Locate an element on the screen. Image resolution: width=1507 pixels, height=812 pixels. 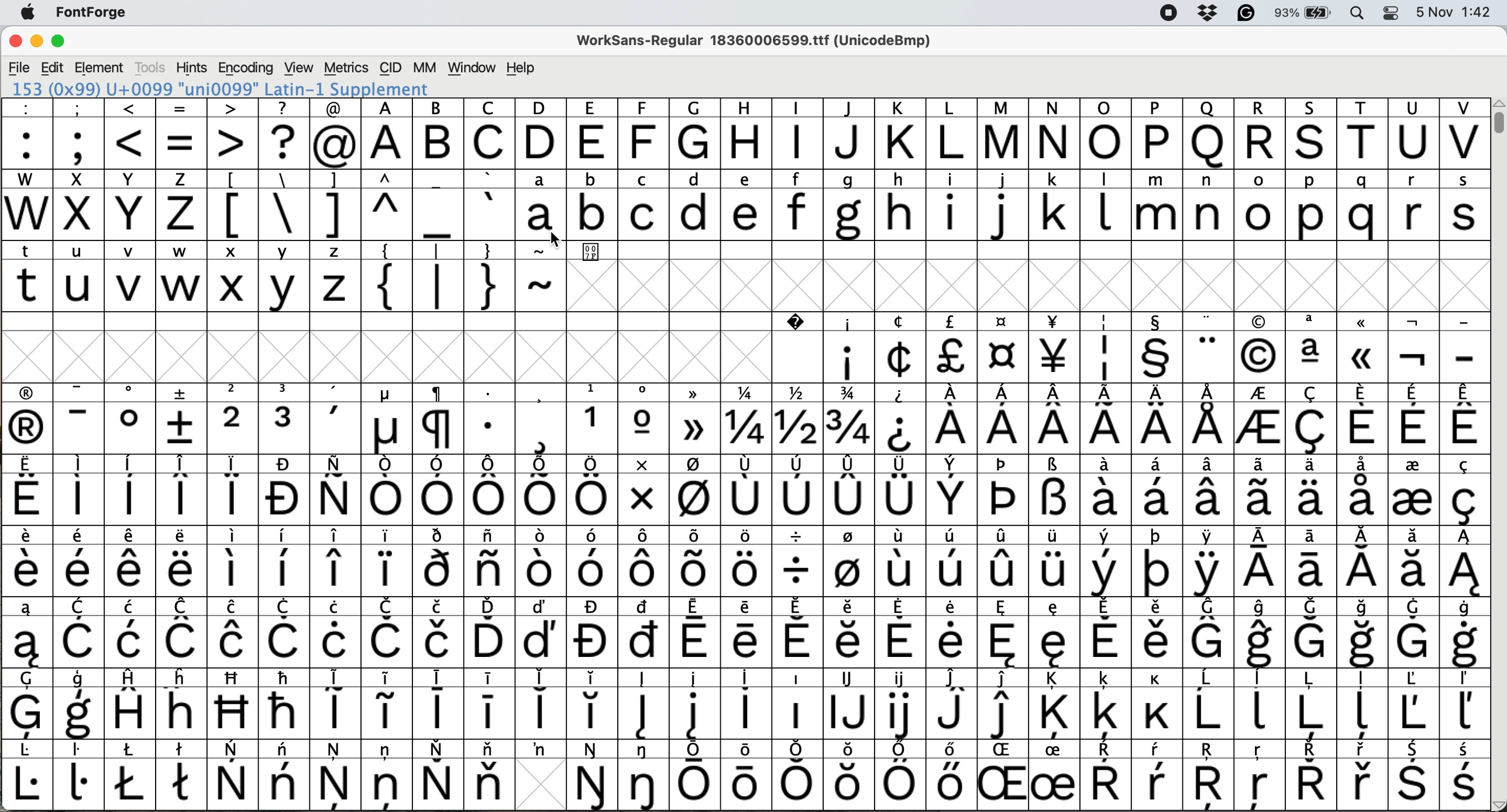
symbol is located at coordinates (28, 704).